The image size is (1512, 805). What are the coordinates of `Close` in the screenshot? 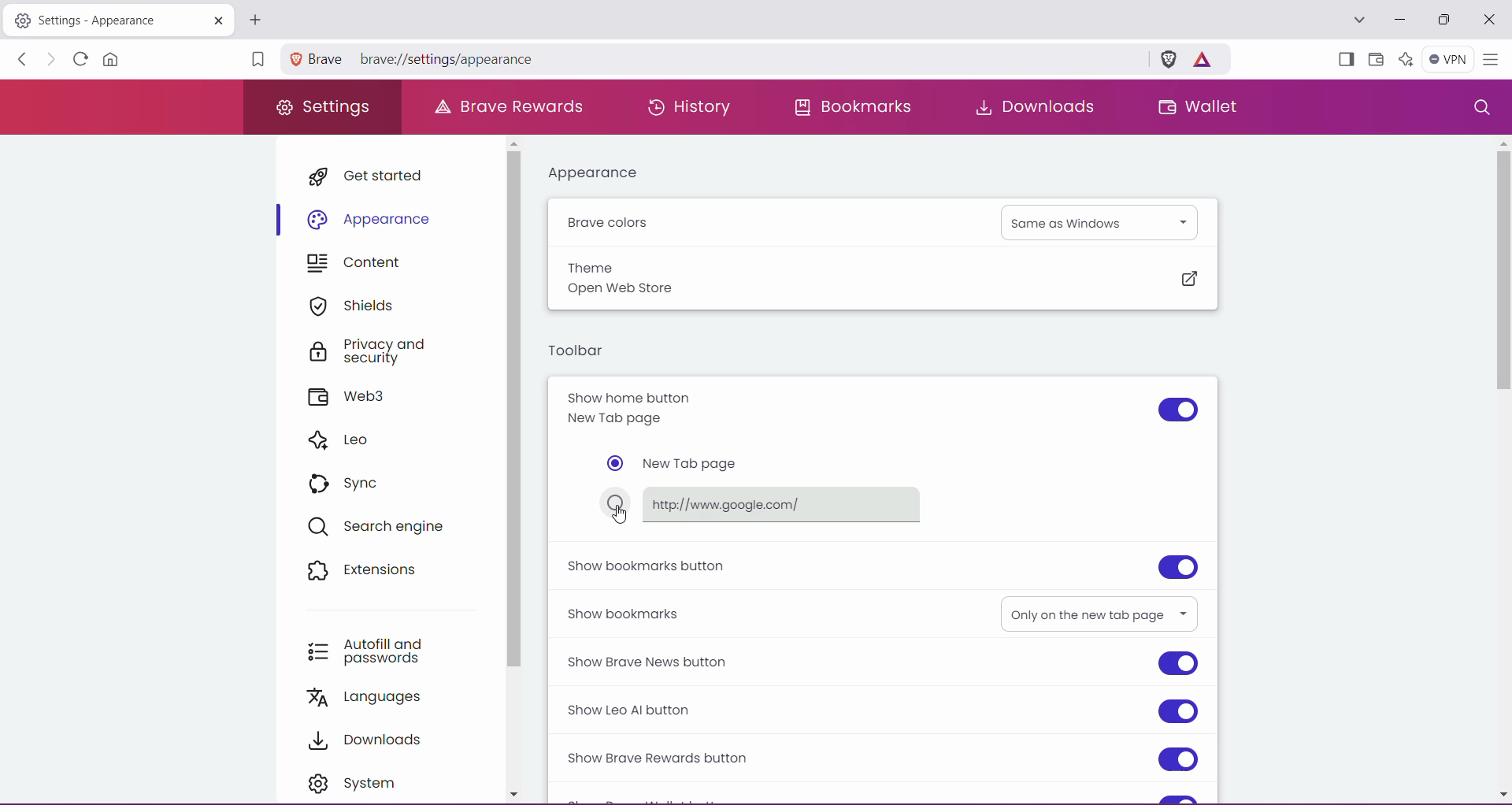 It's located at (1489, 20).